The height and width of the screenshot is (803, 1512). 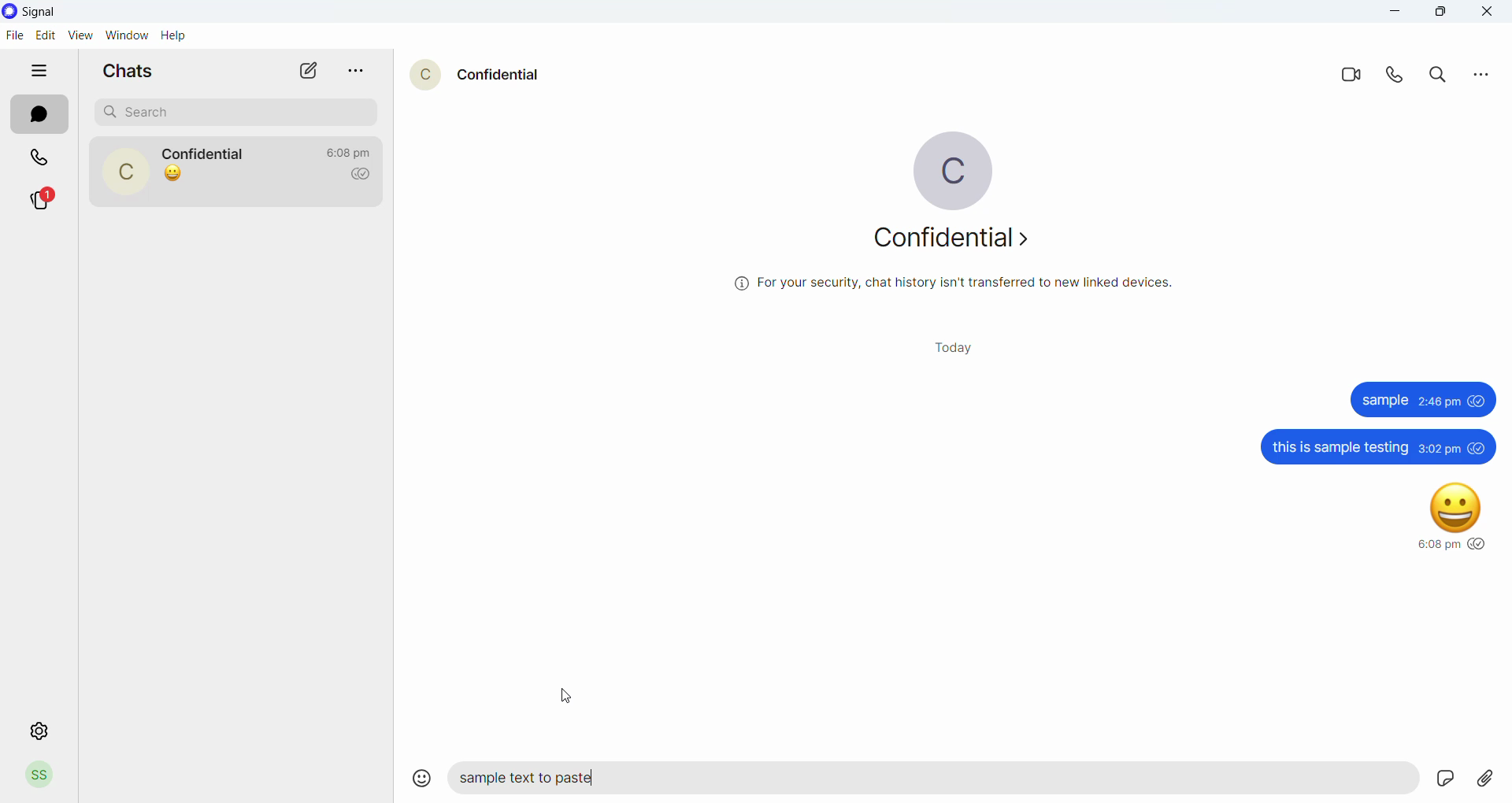 I want to click on happy emoji, so click(x=1443, y=517).